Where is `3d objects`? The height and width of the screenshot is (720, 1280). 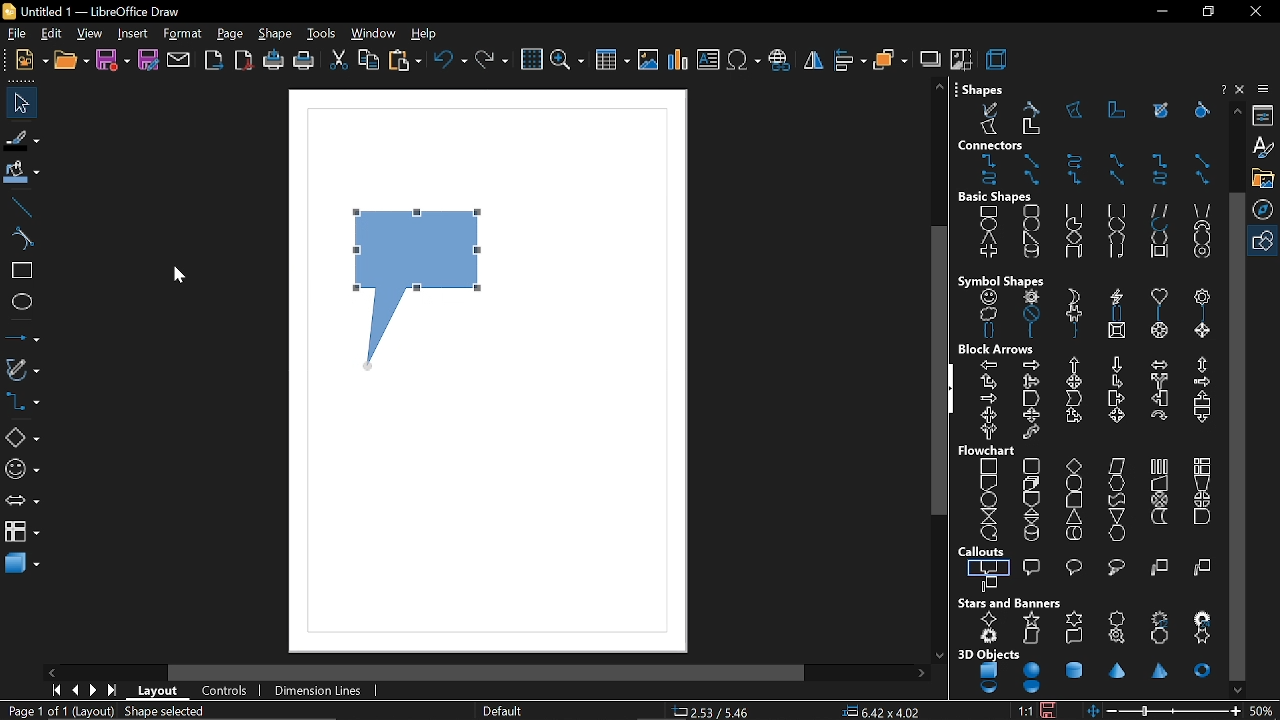
3d objects is located at coordinates (988, 654).